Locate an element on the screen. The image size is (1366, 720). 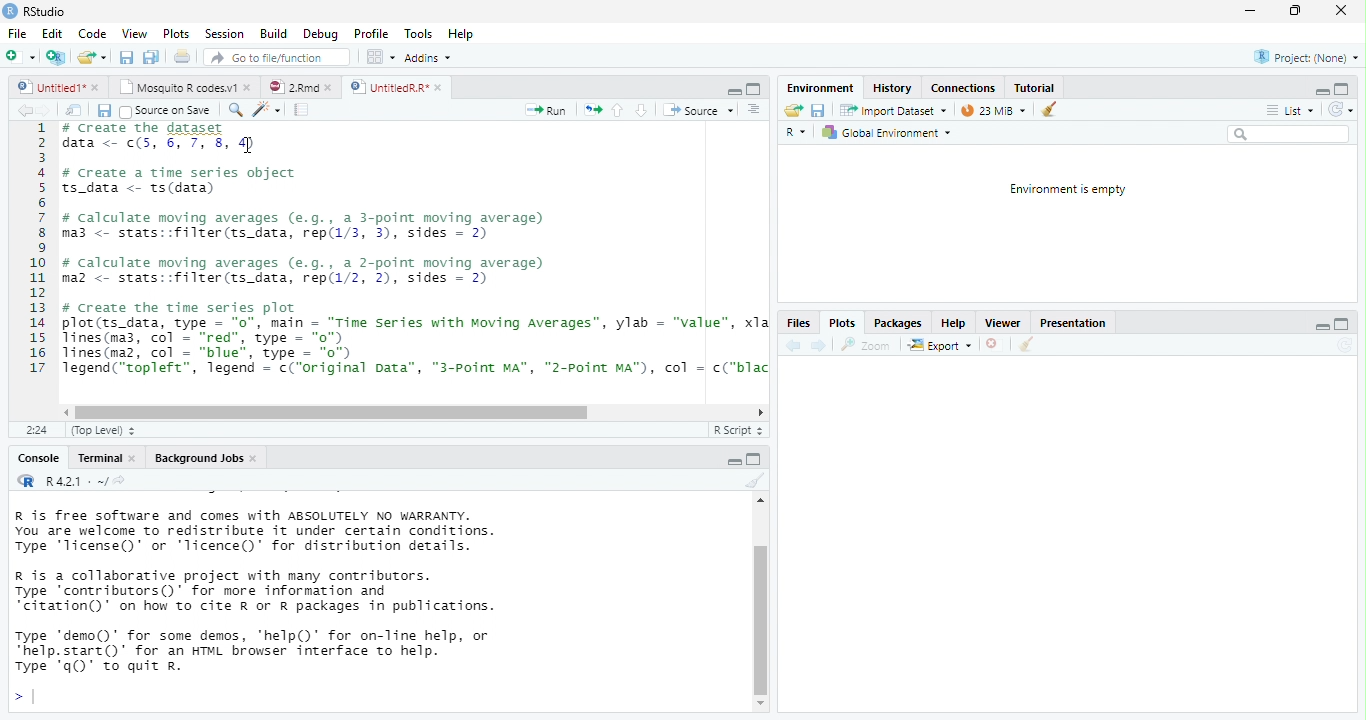
close is located at coordinates (332, 88).